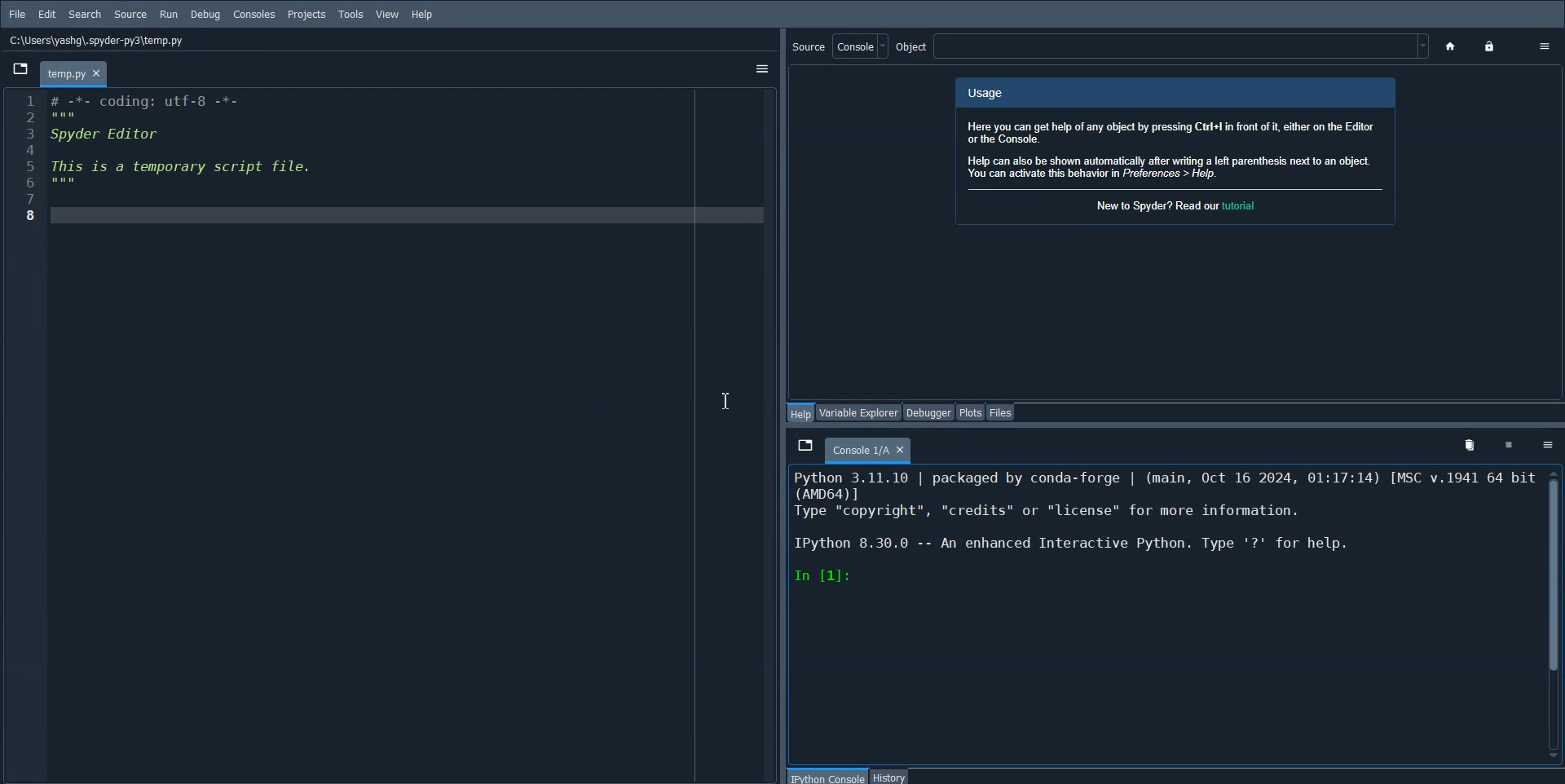 The height and width of the screenshot is (784, 1565). Describe the element at coordinates (1000, 412) in the screenshot. I see `Files` at that location.